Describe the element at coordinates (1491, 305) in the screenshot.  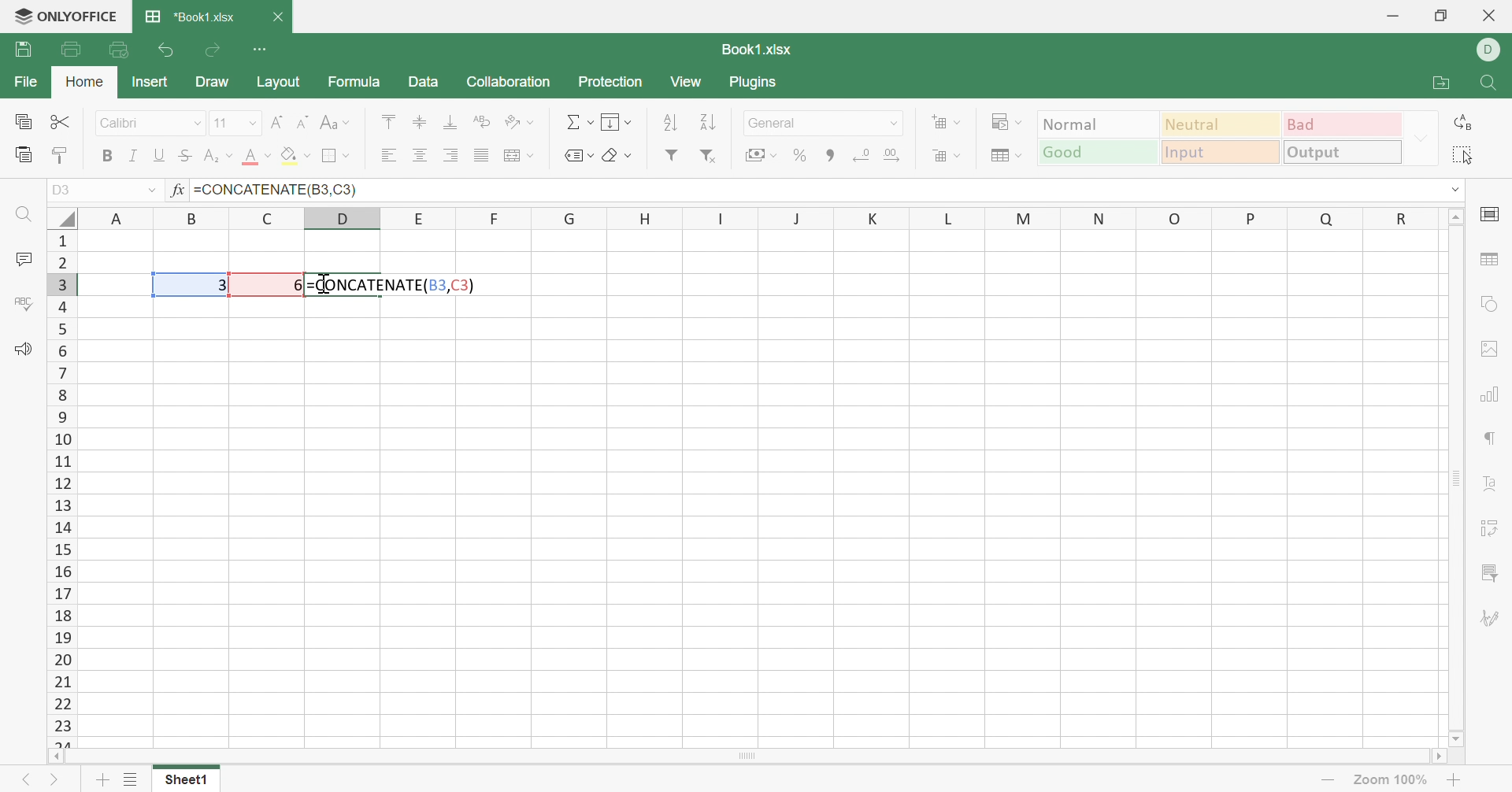
I see `Shape settings` at that location.